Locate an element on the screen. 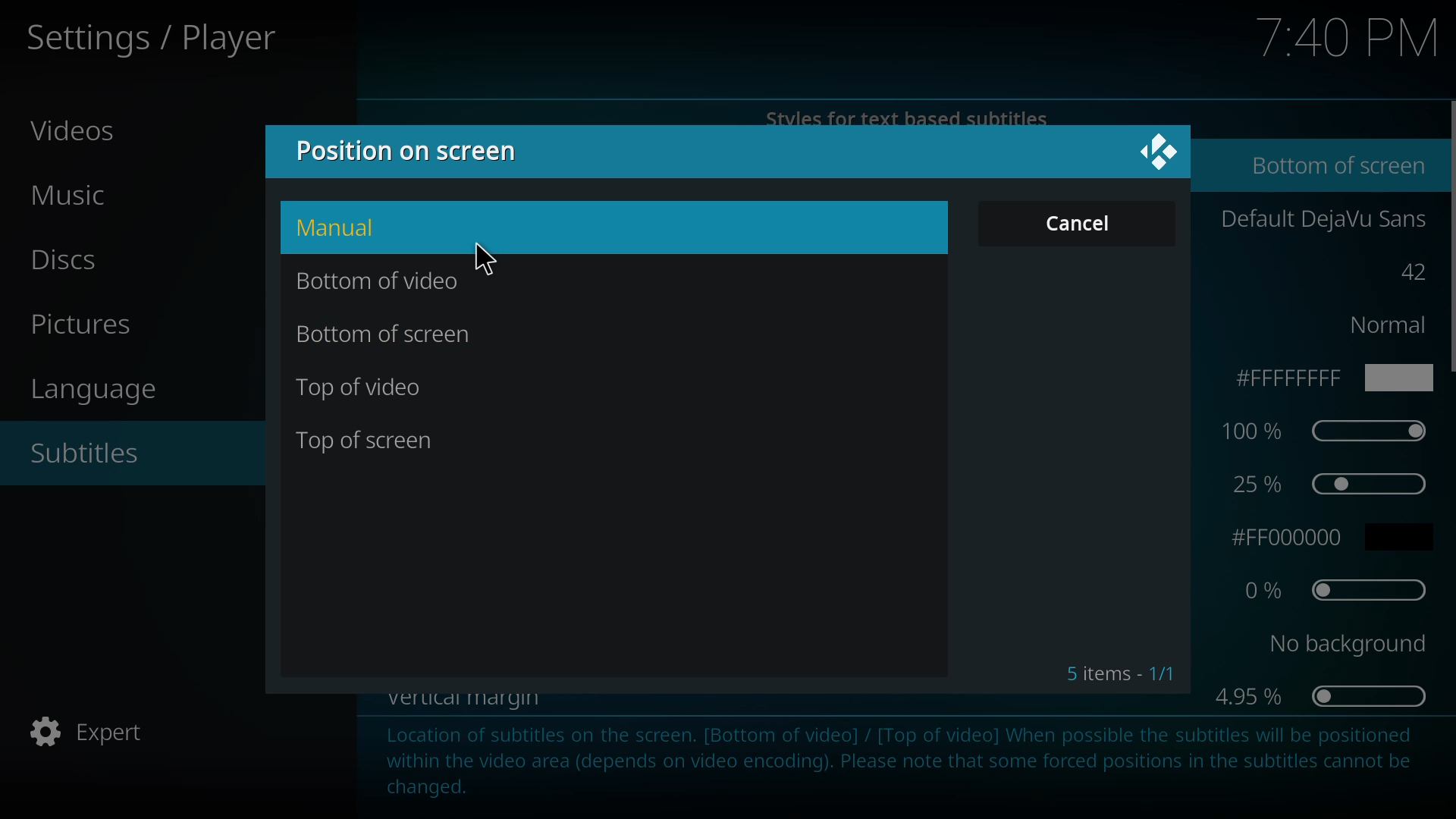 The width and height of the screenshot is (1456, 819). time is located at coordinates (1347, 39).